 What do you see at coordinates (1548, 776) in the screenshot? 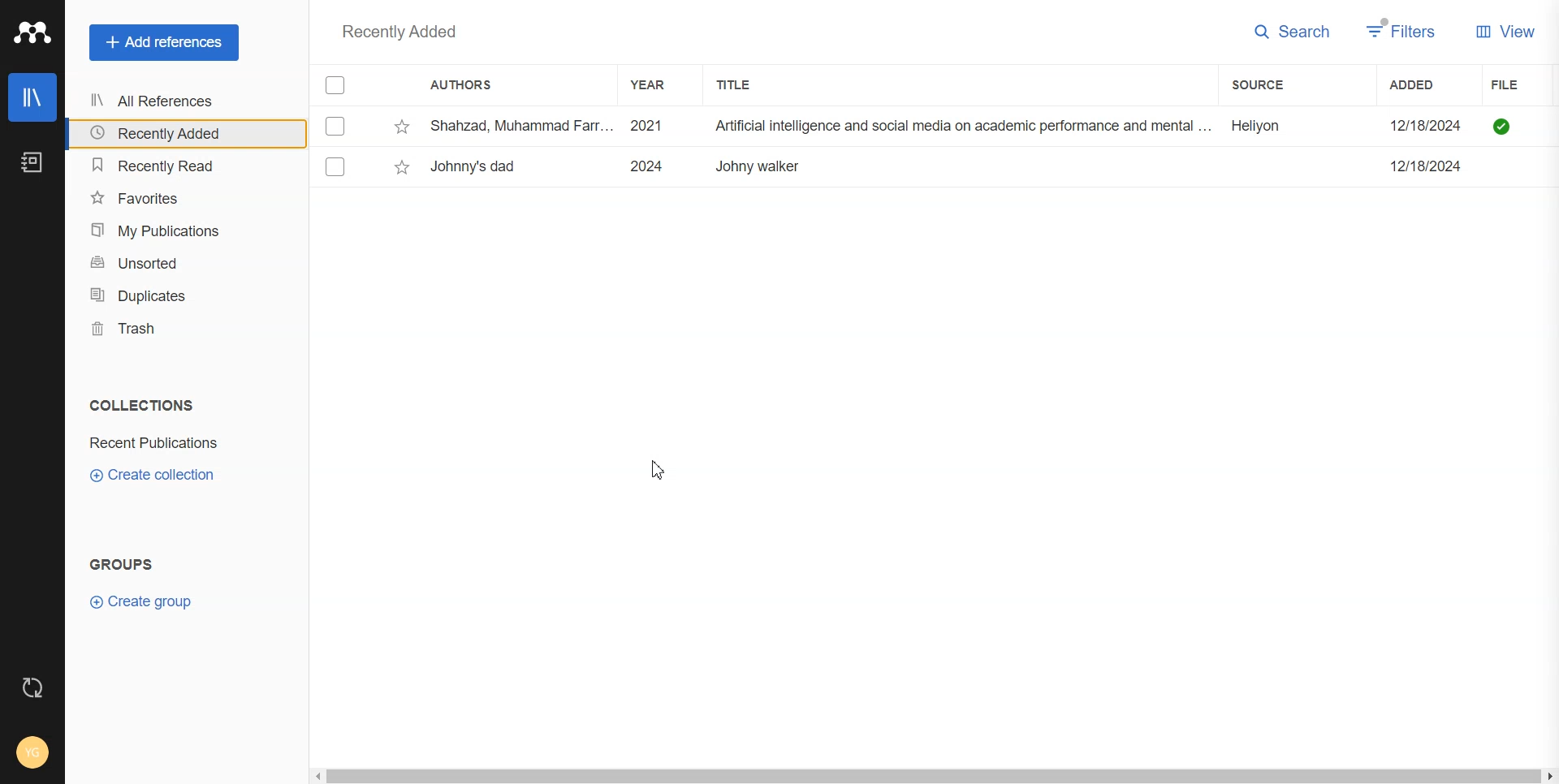
I see `scroll right` at bounding box center [1548, 776].